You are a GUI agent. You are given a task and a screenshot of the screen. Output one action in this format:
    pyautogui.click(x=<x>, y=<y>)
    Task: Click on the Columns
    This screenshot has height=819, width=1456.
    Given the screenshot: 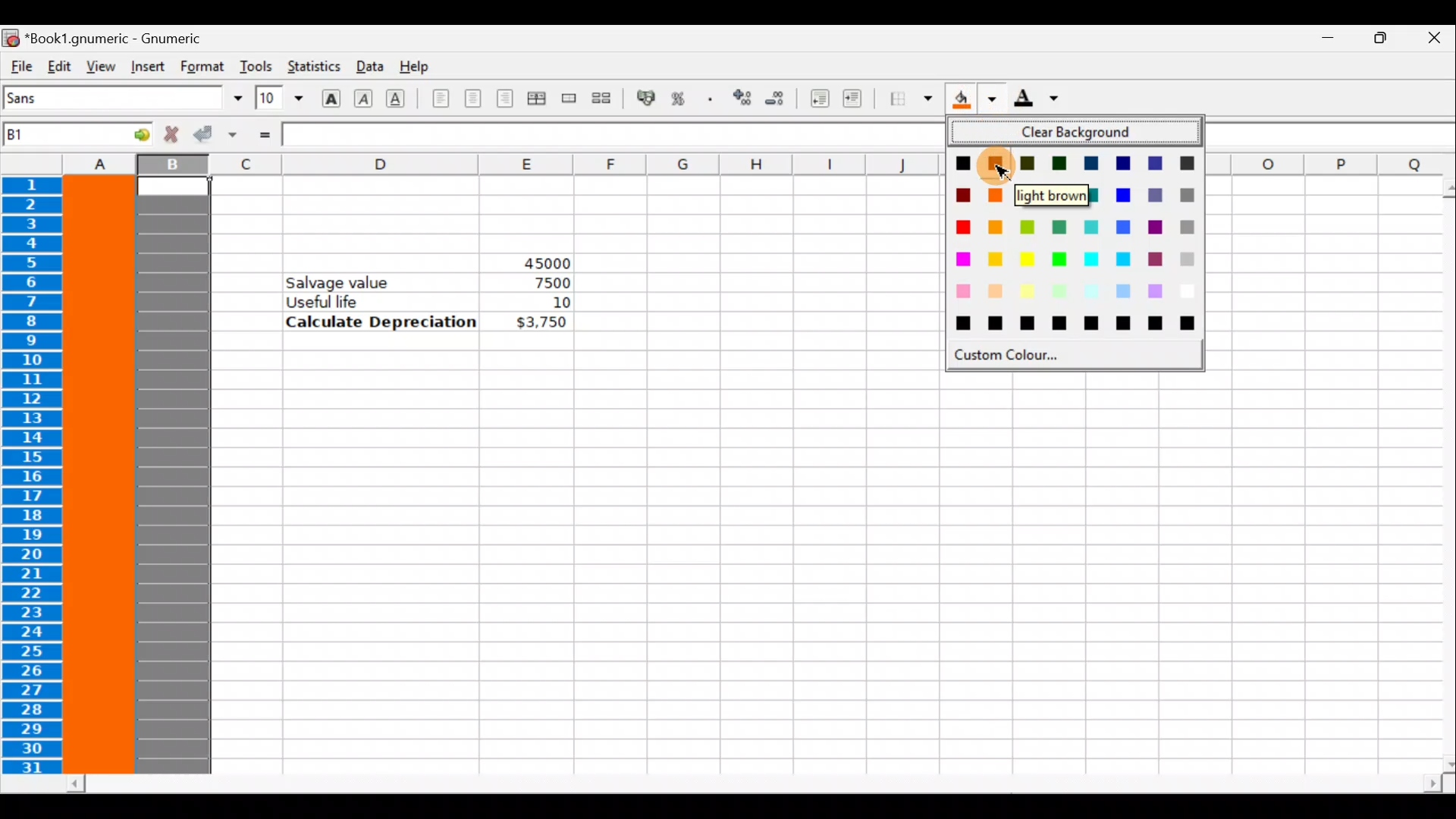 What is the action you would take?
    pyautogui.click(x=463, y=165)
    